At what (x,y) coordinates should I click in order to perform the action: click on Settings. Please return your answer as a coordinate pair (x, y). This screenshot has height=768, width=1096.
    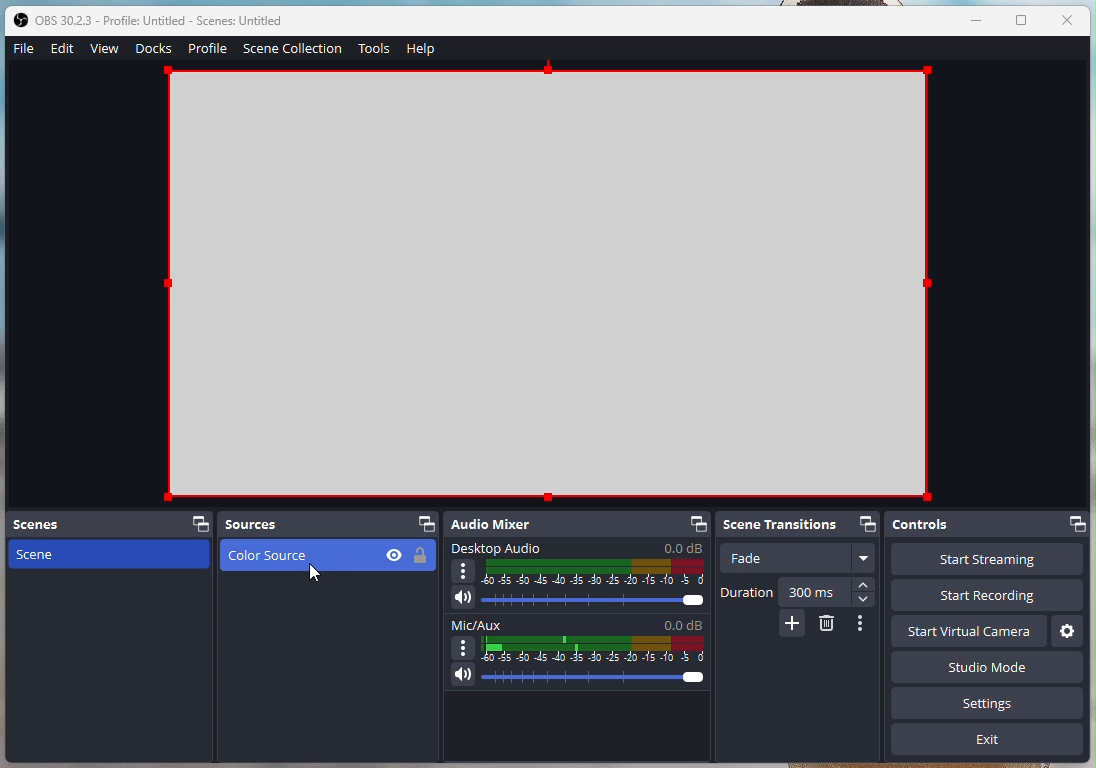
    Looking at the image, I should click on (1066, 630).